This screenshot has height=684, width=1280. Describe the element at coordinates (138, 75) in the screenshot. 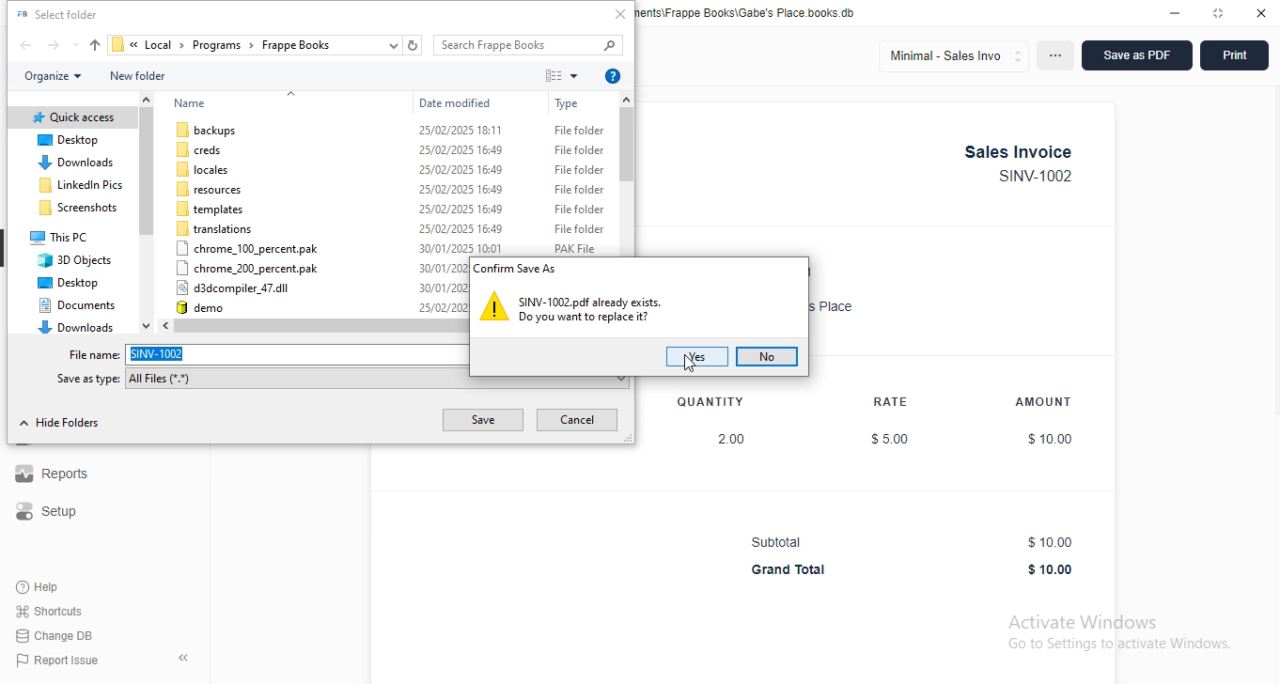

I see `new folder` at that location.